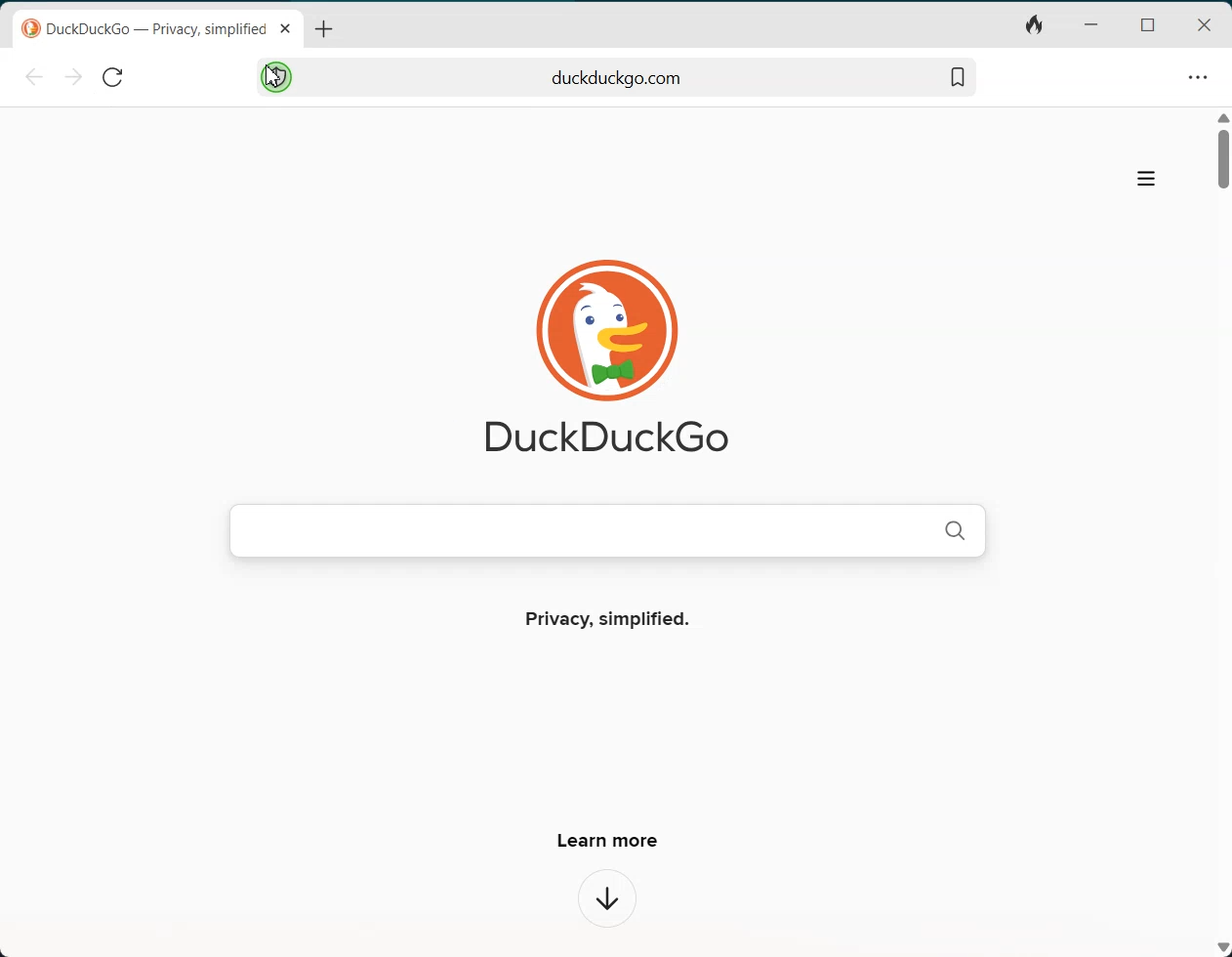 This screenshot has height=957, width=1232. I want to click on add new tab, so click(324, 30).